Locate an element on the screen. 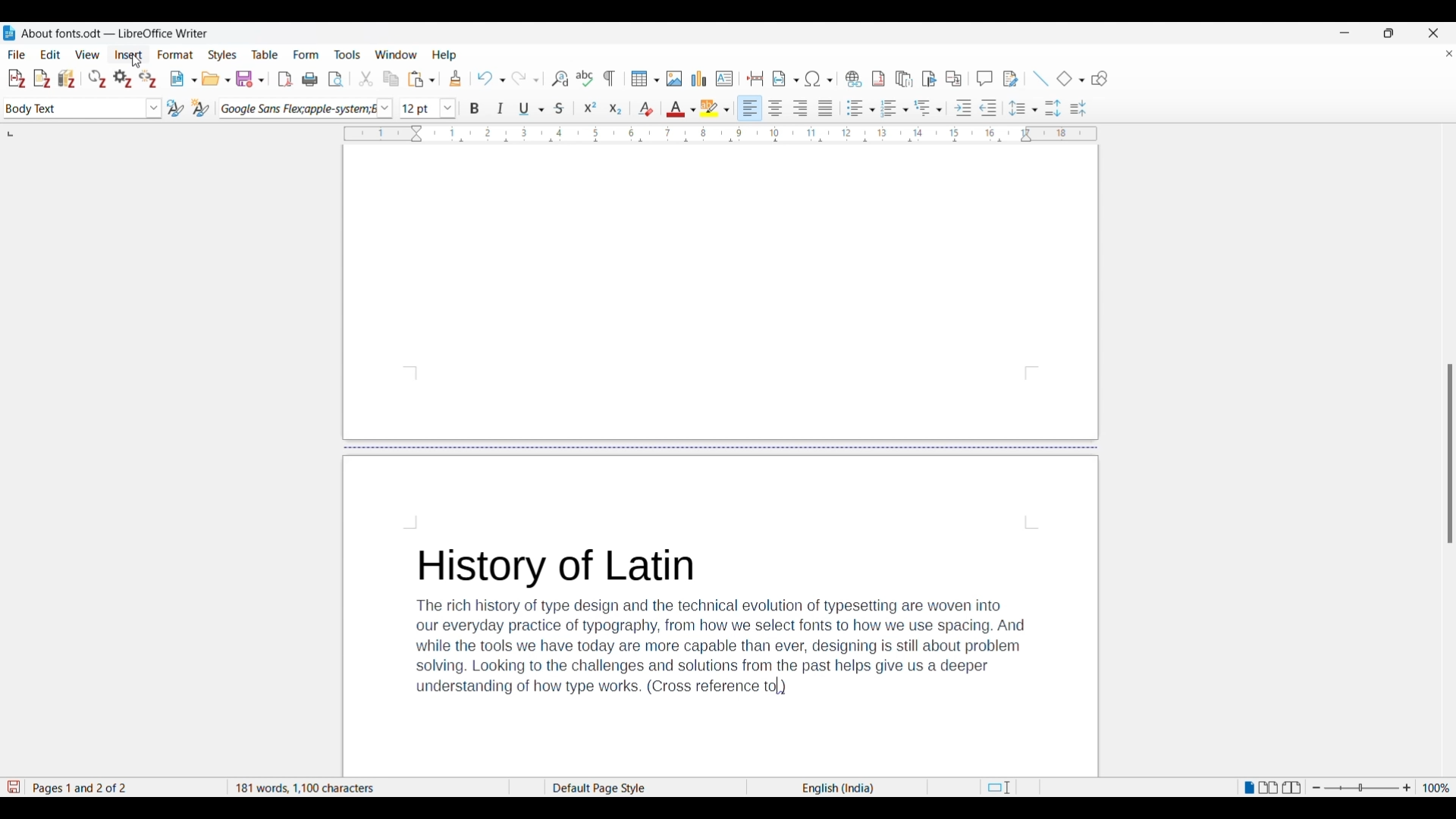 The image size is (1456, 819). Bold is located at coordinates (475, 109).